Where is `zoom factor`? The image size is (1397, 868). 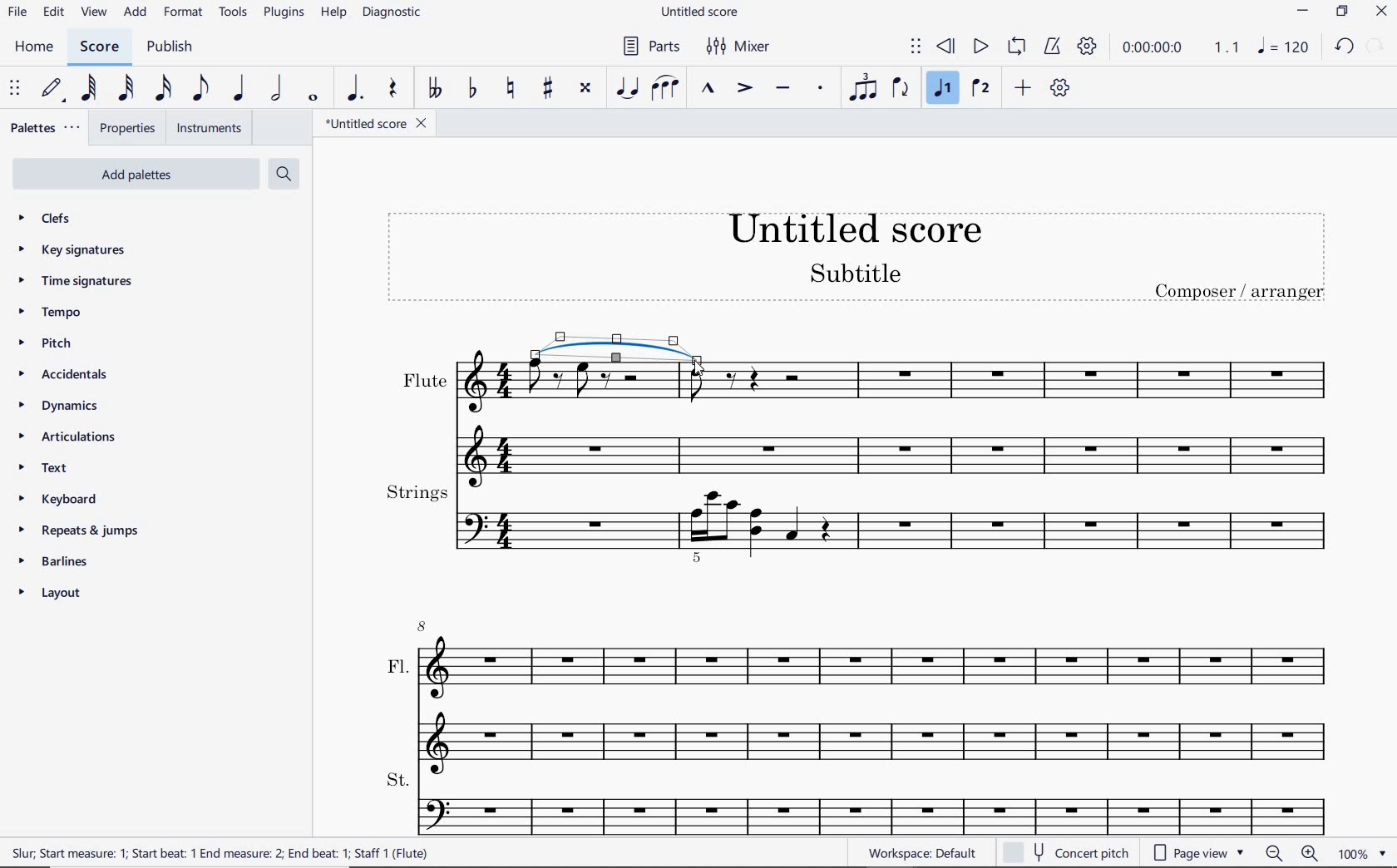 zoom factor is located at coordinates (1360, 853).